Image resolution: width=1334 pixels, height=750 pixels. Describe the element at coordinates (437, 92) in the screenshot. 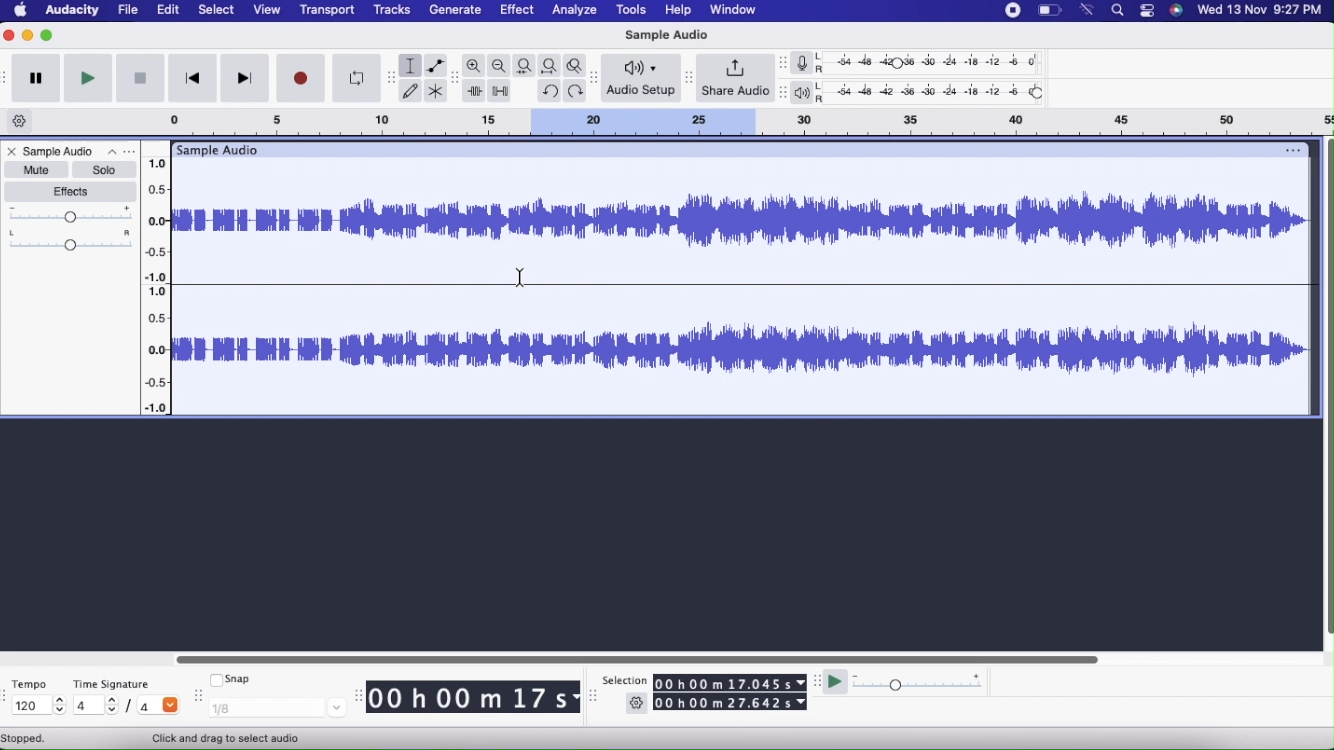

I see `Multi-tool` at that location.